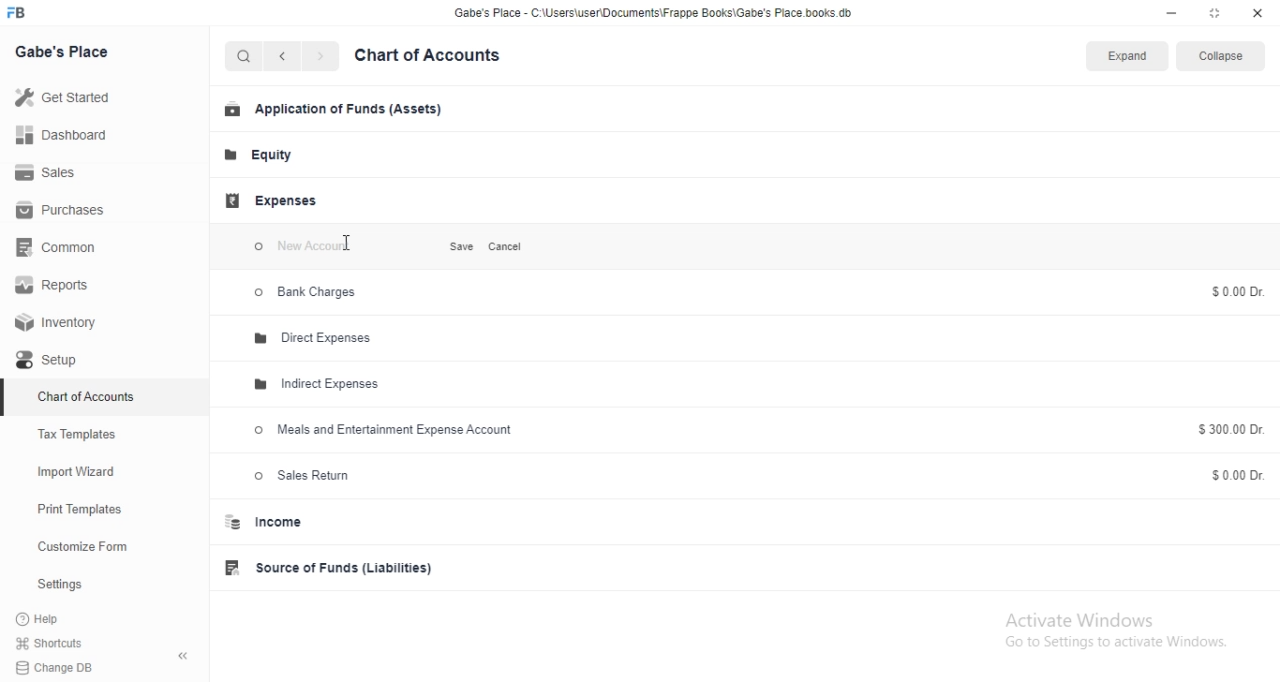 This screenshot has height=682, width=1280. Describe the element at coordinates (1113, 638) in the screenshot. I see `Activate Windows
Go to Settings to activate Windows.` at that location.